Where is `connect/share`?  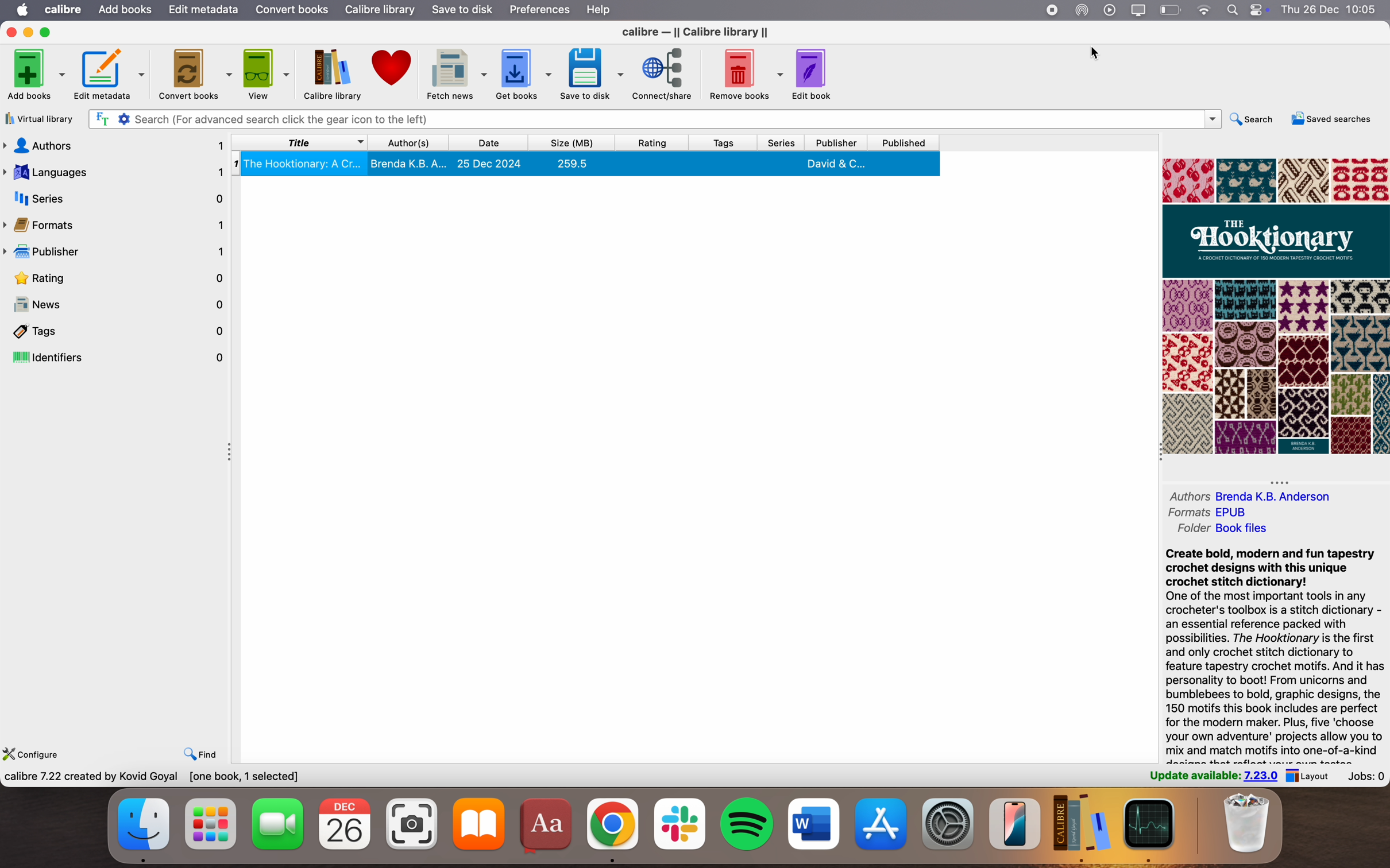
connect/share is located at coordinates (664, 73).